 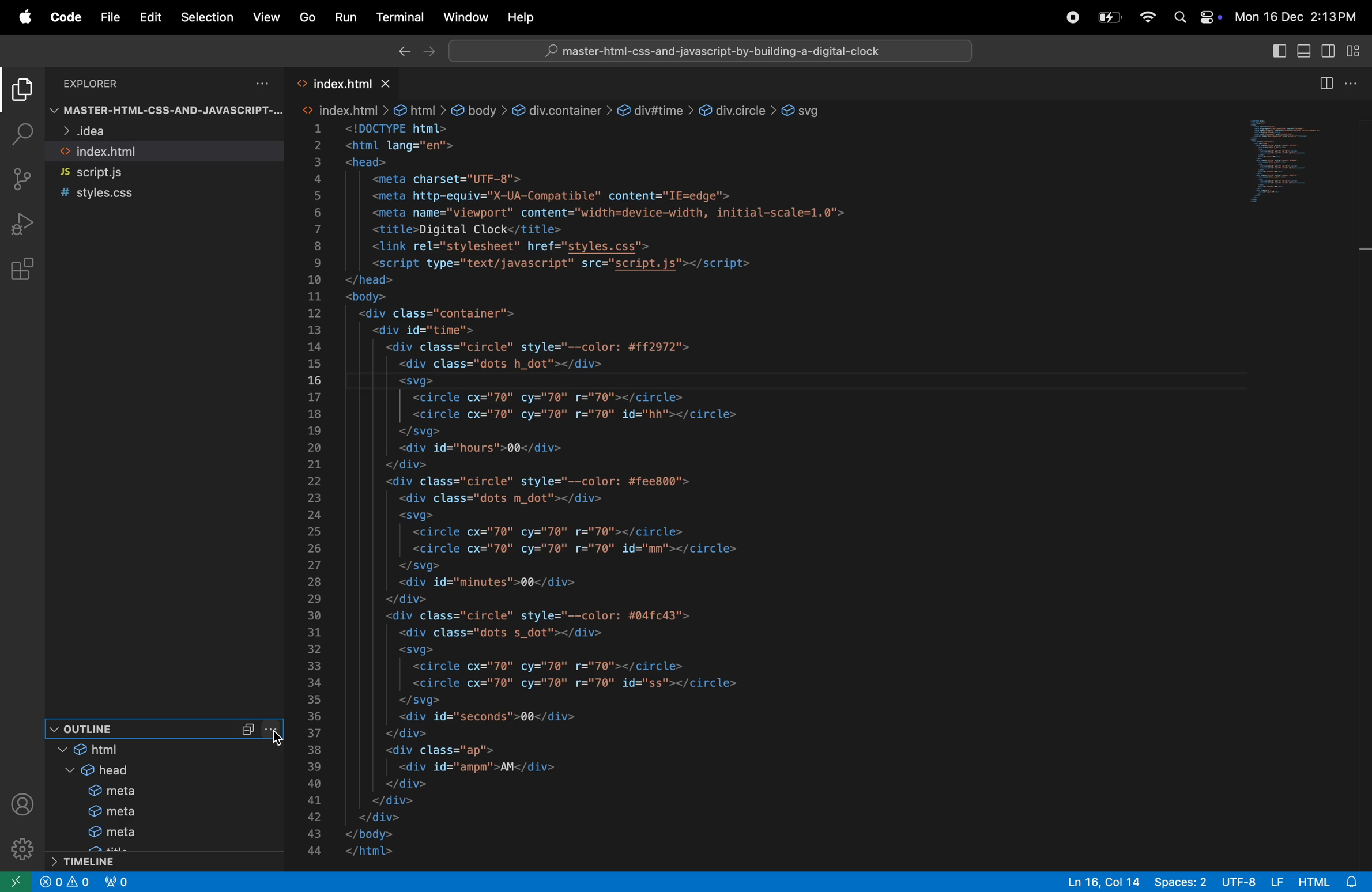 What do you see at coordinates (1182, 882) in the screenshot?
I see `spaces 2` at bounding box center [1182, 882].